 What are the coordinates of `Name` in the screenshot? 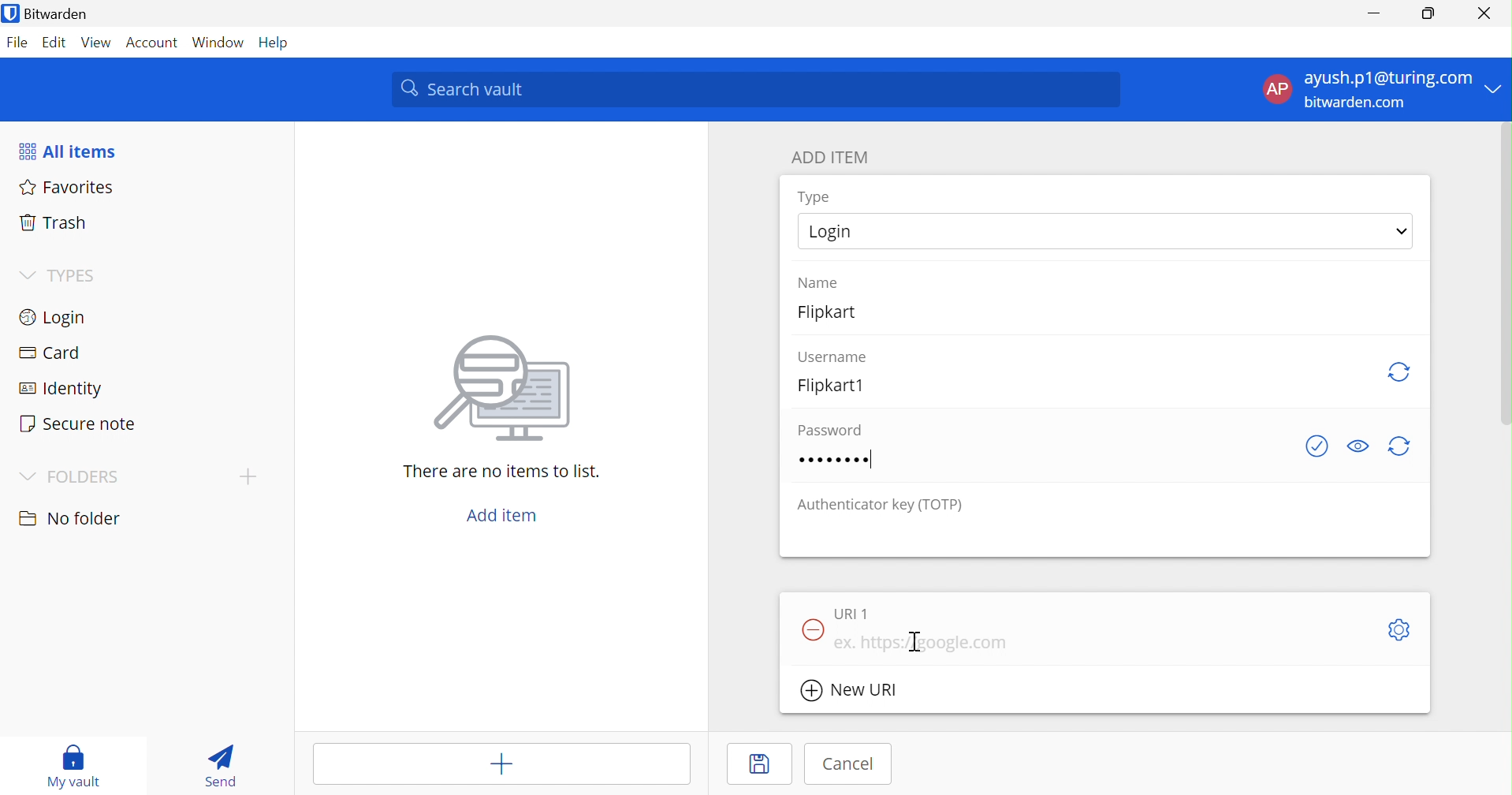 It's located at (821, 281).